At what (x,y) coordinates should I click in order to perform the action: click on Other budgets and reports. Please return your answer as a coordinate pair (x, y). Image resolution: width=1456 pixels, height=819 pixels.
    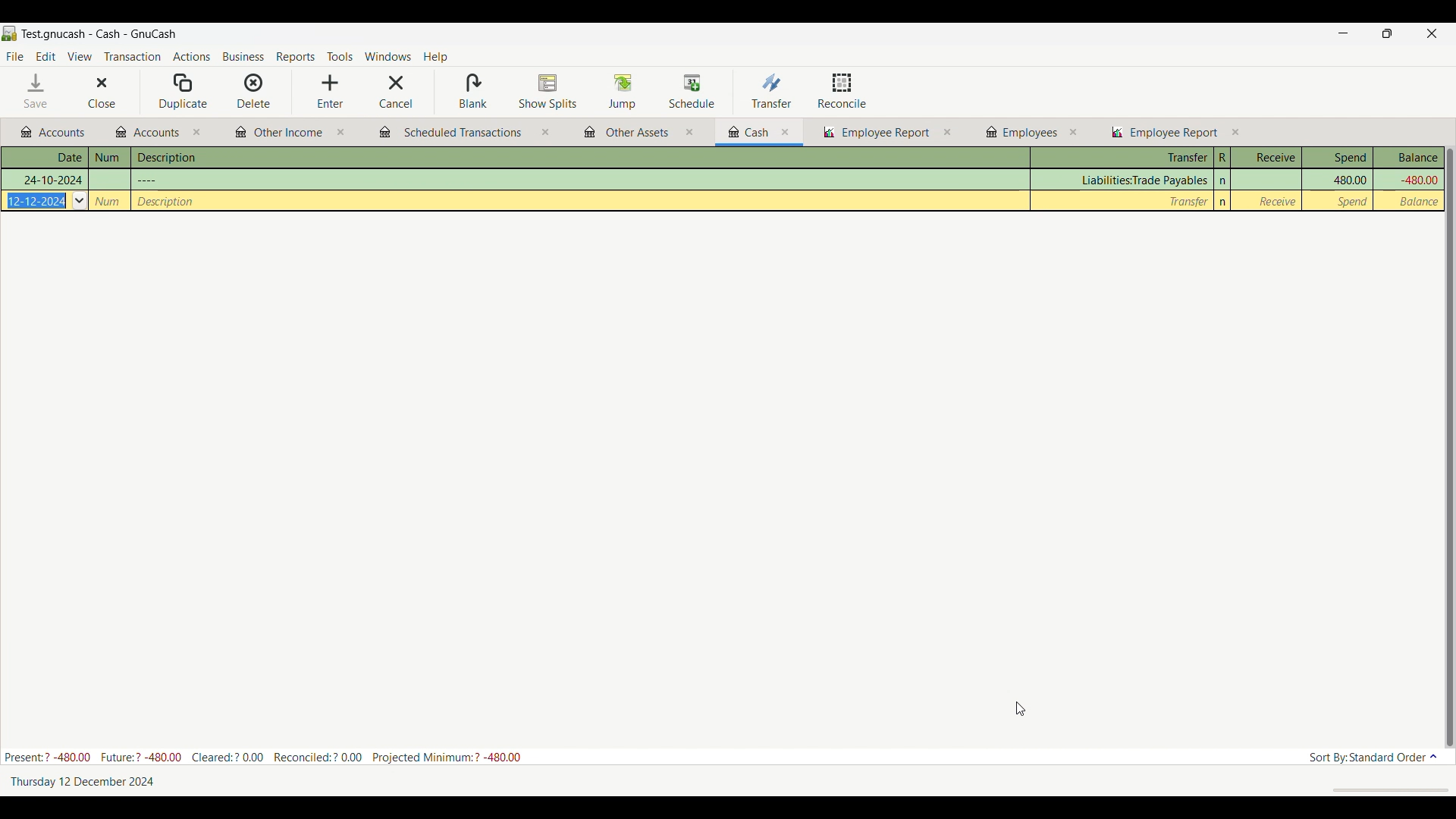
    Looking at the image, I should click on (279, 133).